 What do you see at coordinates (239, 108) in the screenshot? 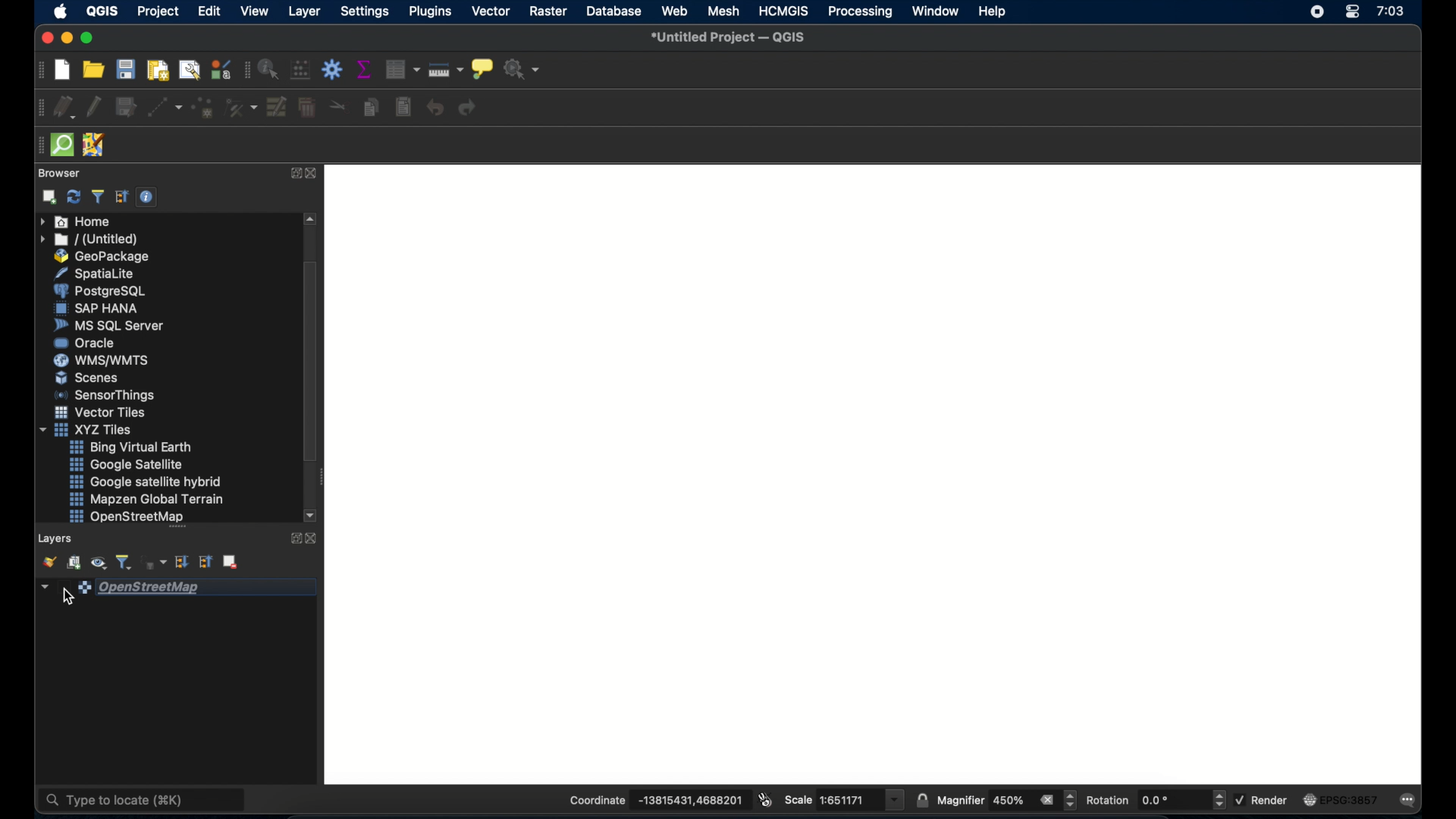
I see `vertex tool` at bounding box center [239, 108].